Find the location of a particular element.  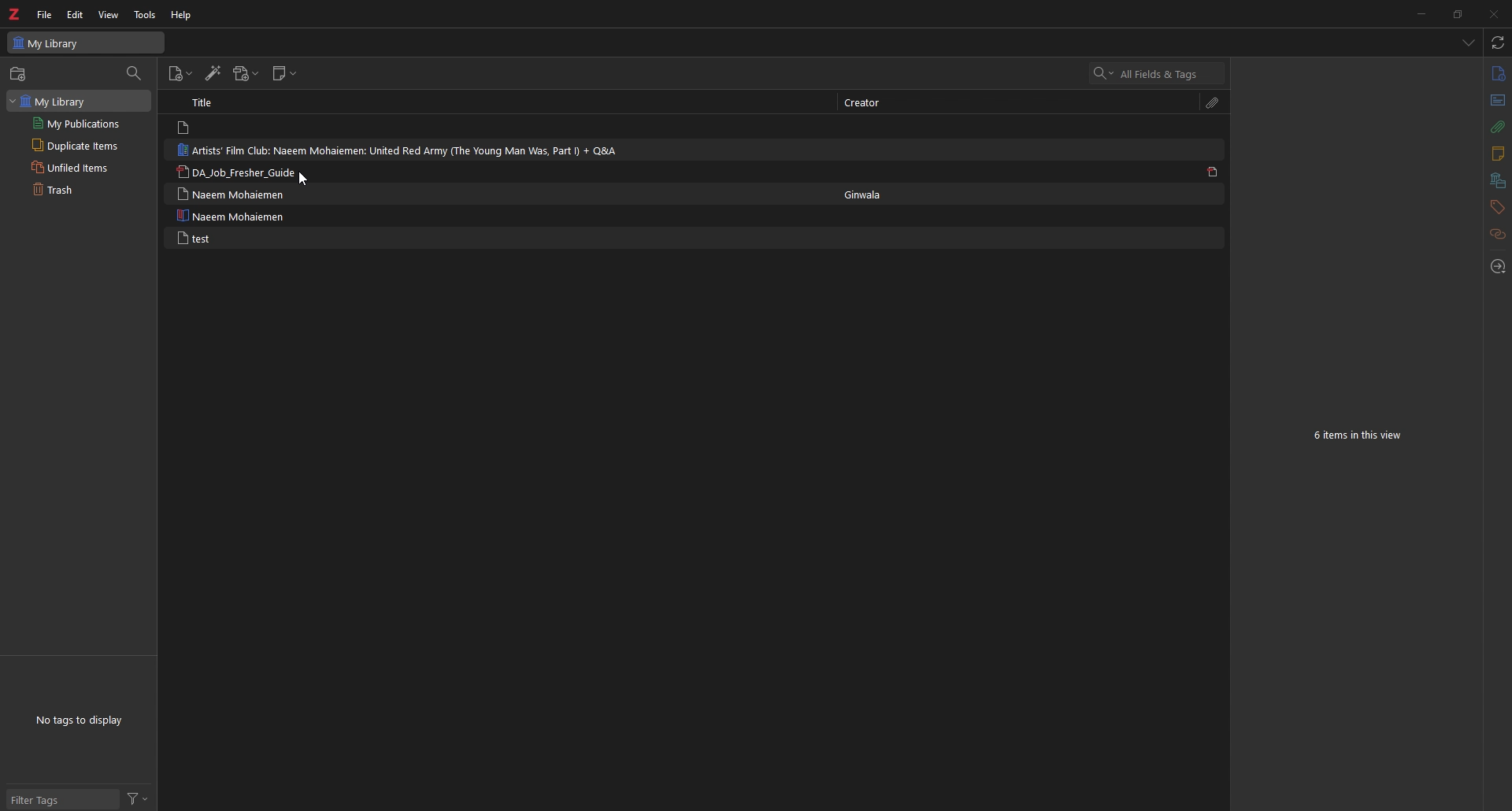

note is located at coordinates (252, 214).